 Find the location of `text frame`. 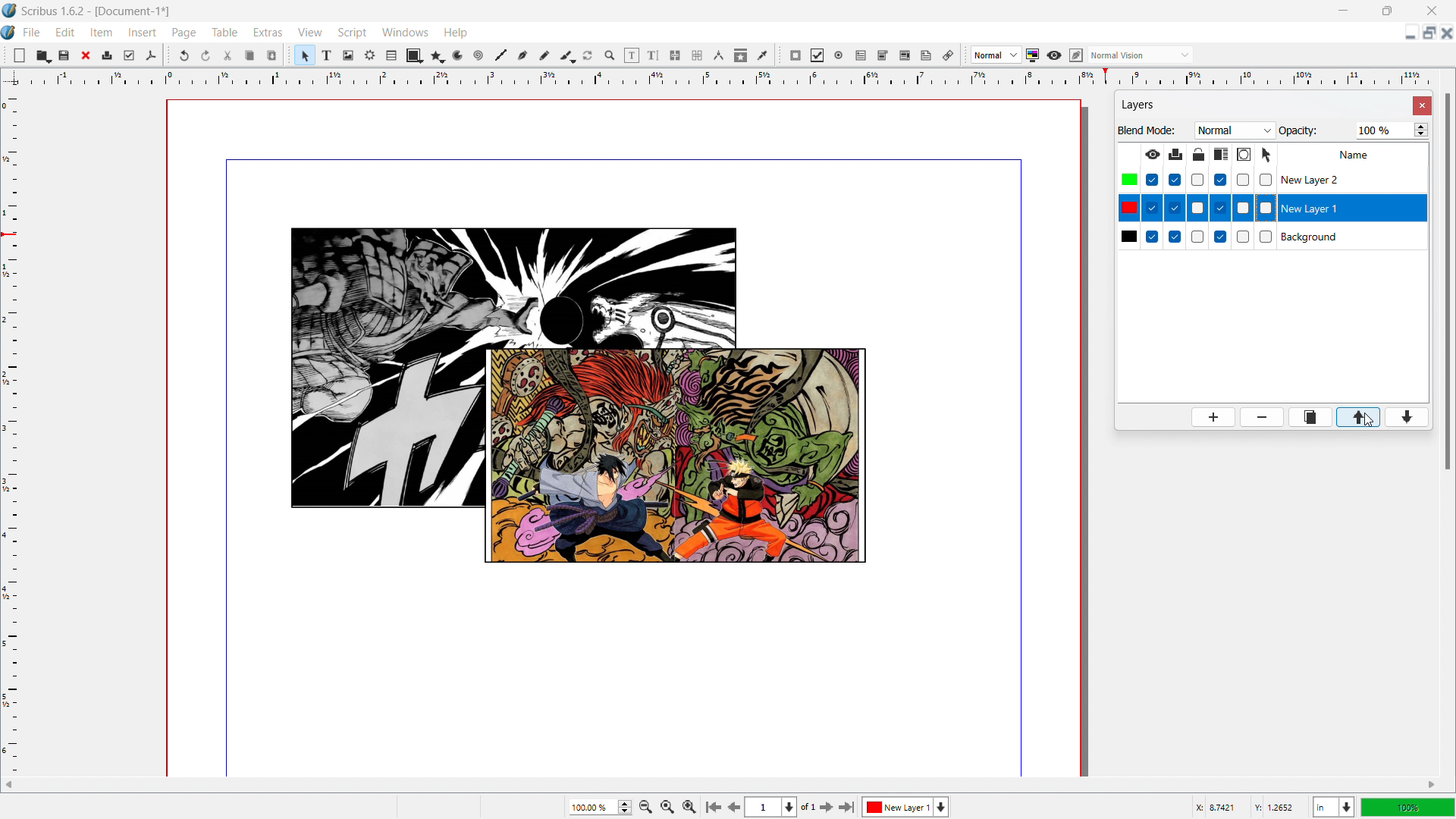

text frame is located at coordinates (328, 55).